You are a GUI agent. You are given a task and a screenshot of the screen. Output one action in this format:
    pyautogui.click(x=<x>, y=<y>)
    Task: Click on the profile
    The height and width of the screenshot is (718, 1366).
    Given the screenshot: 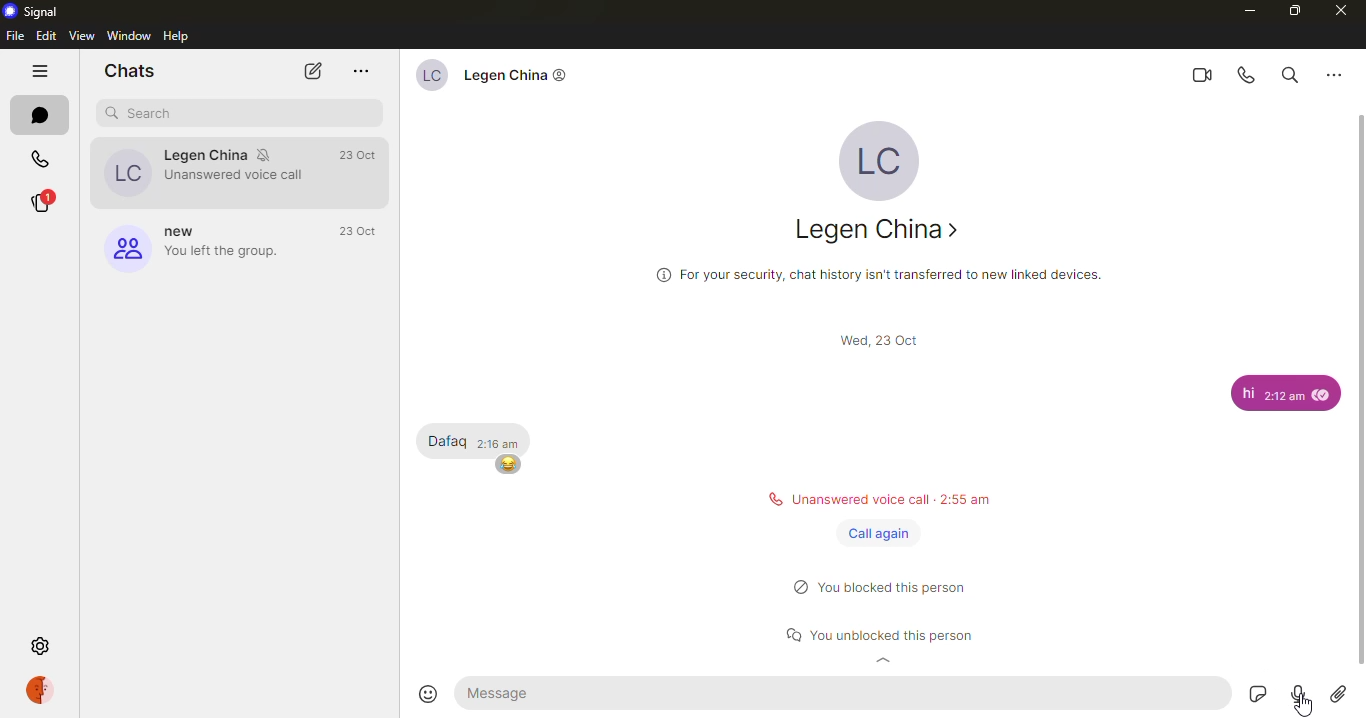 What is the action you would take?
    pyautogui.click(x=36, y=689)
    